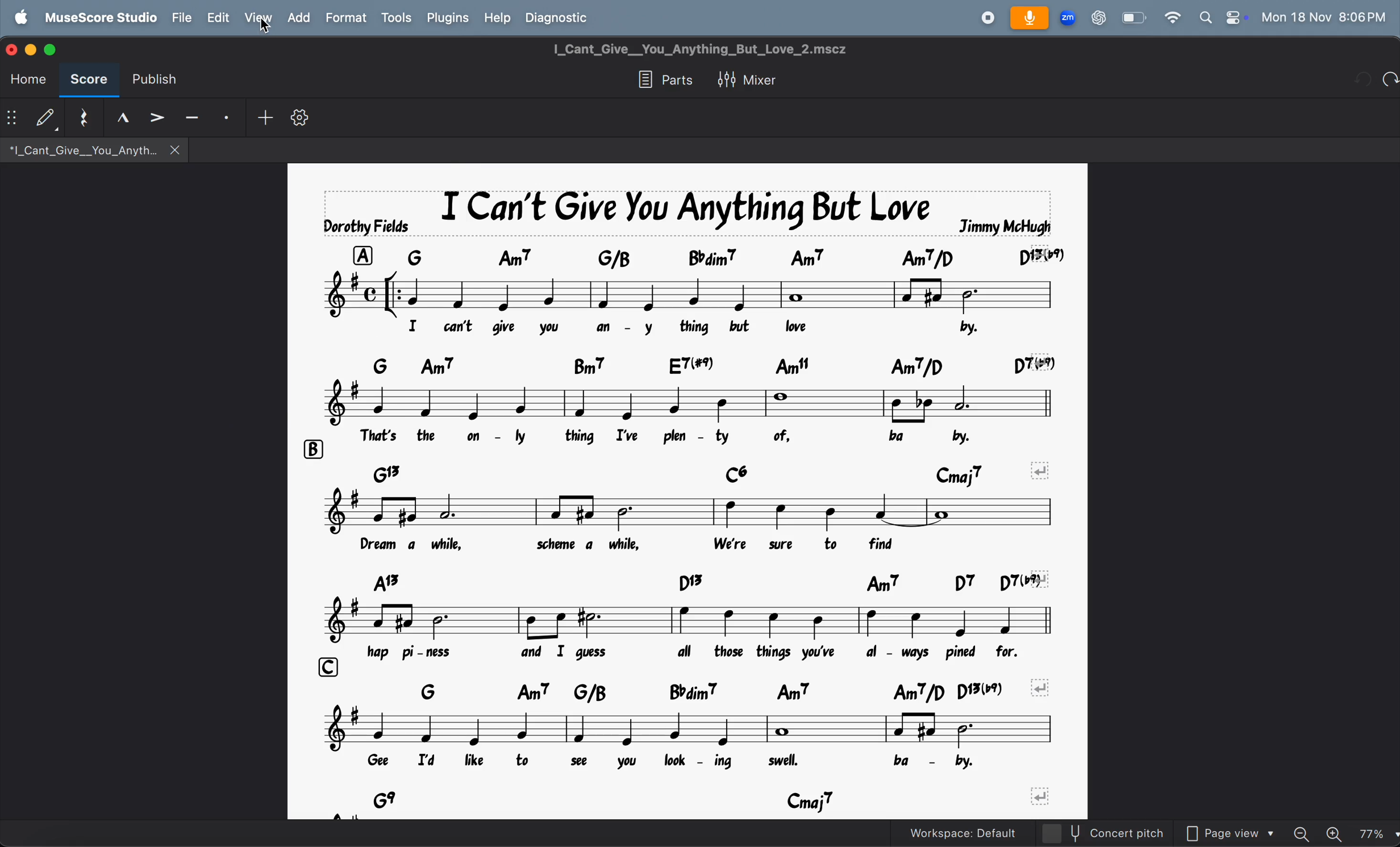 This screenshot has height=847, width=1400. Describe the element at coordinates (1171, 19) in the screenshot. I see `wifi` at that location.